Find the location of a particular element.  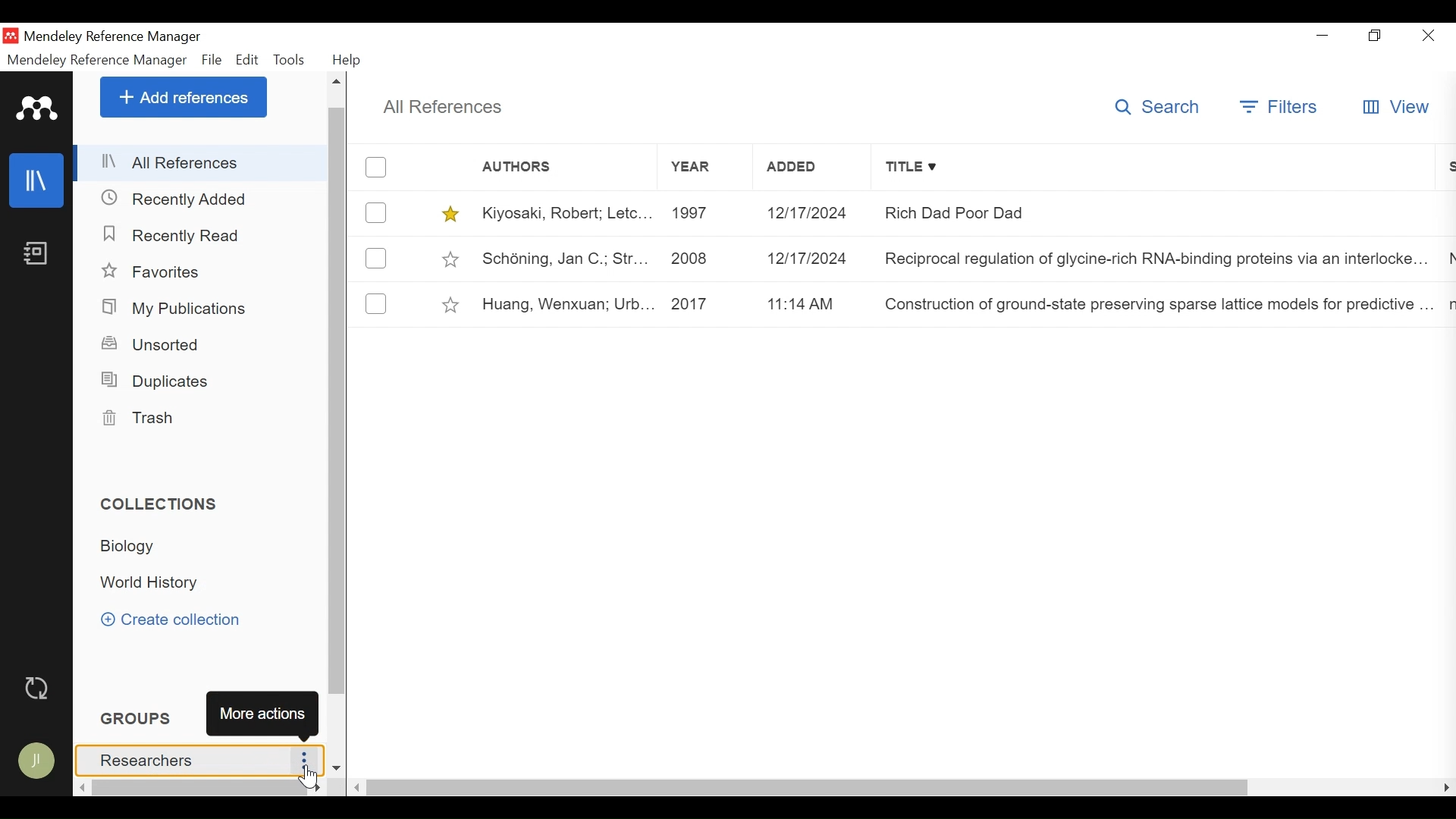

Sync is located at coordinates (39, 689).